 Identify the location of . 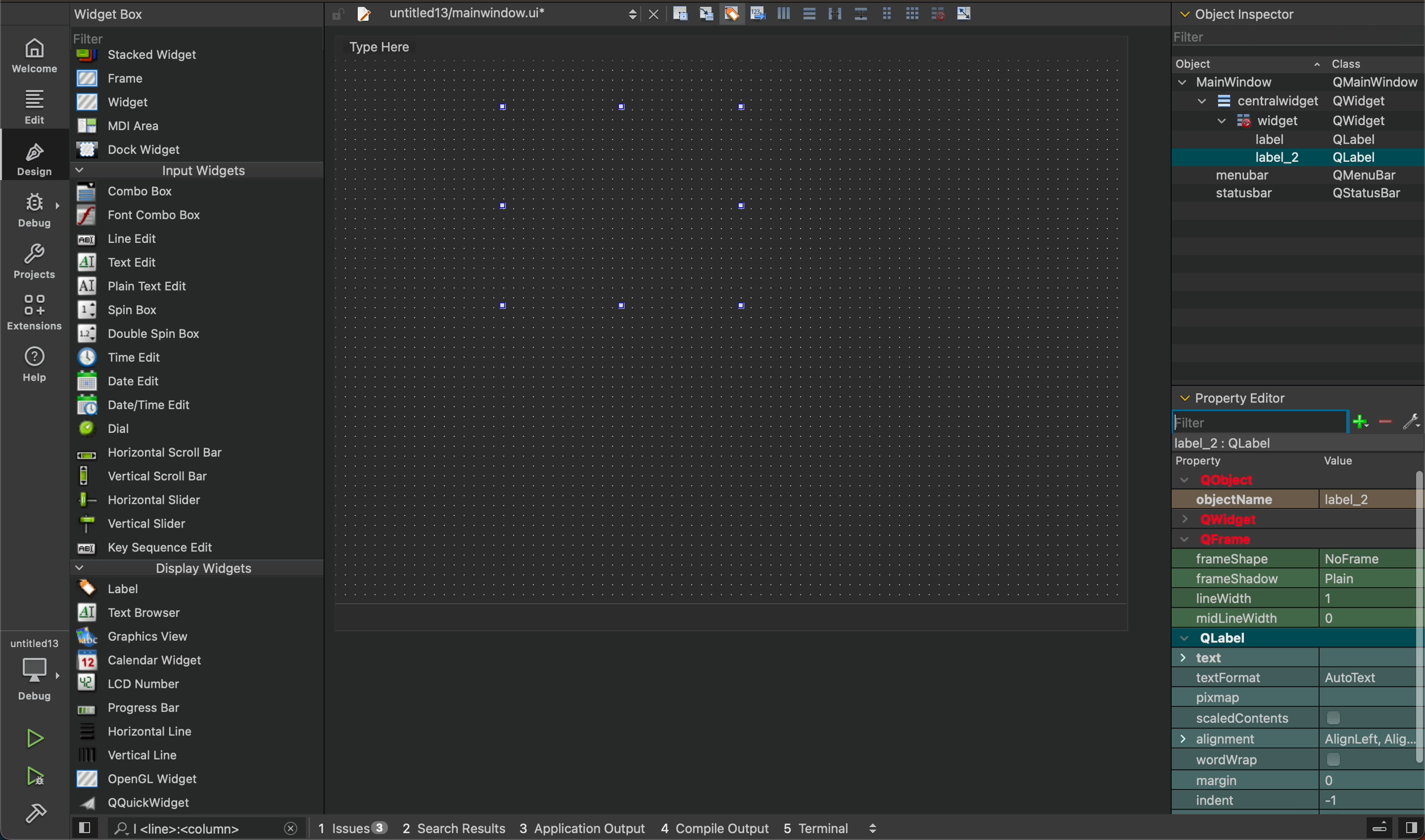
(1299, 658).